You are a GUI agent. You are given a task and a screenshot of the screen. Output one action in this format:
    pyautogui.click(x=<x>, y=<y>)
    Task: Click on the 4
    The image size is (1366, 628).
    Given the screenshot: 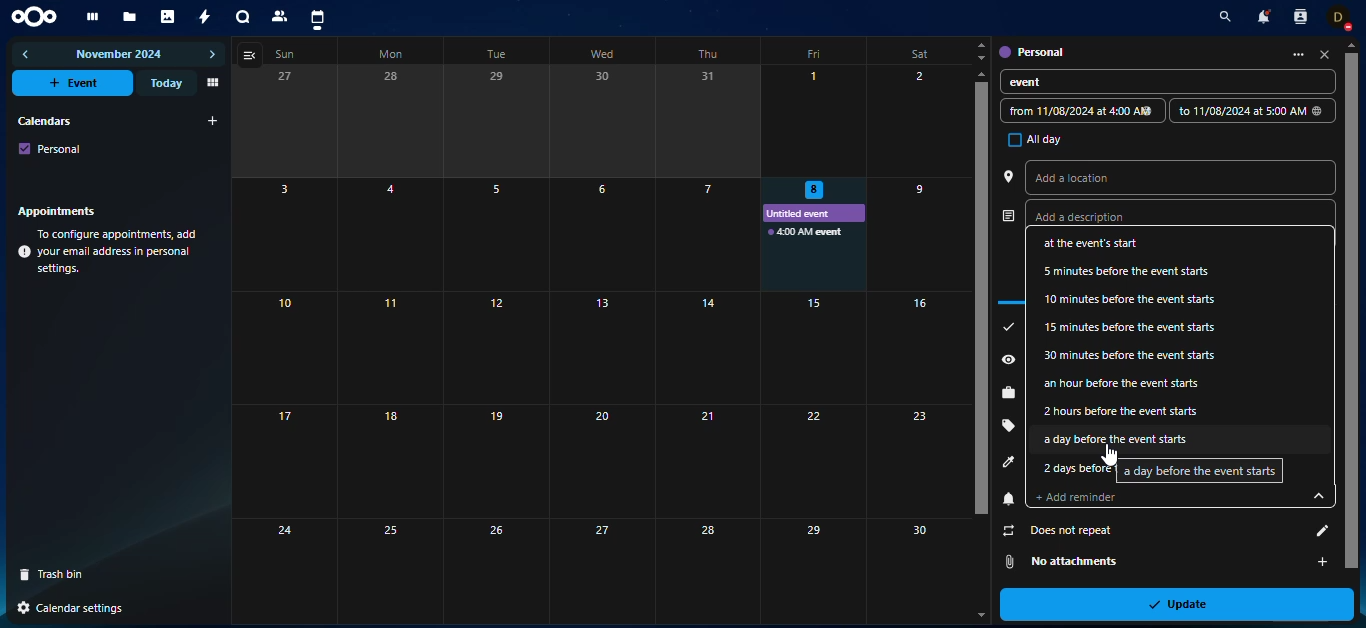 What is the action you would take?
    pyautogui.click(x=391, y=235)
    